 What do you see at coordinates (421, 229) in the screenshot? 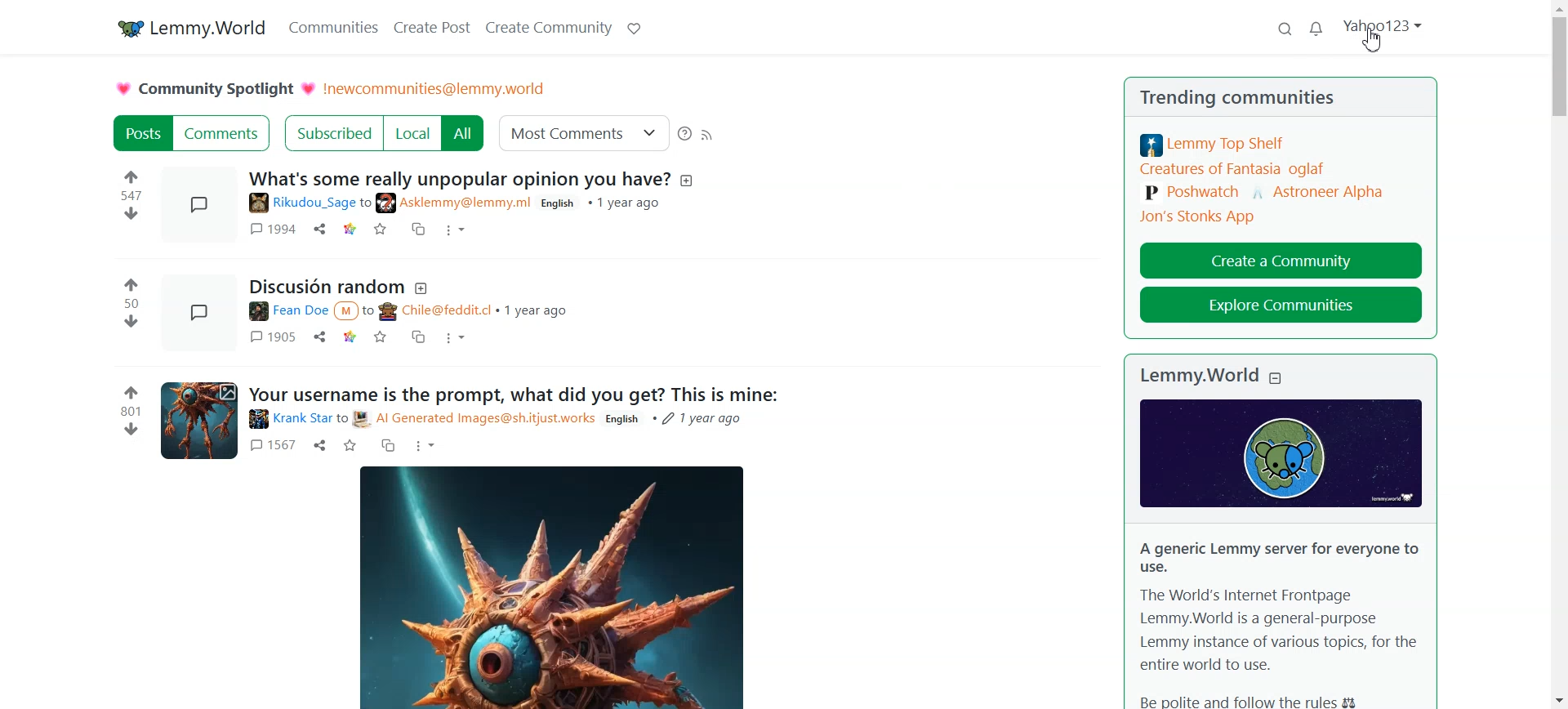
I see `cross post` at bounding box center [421, 229].